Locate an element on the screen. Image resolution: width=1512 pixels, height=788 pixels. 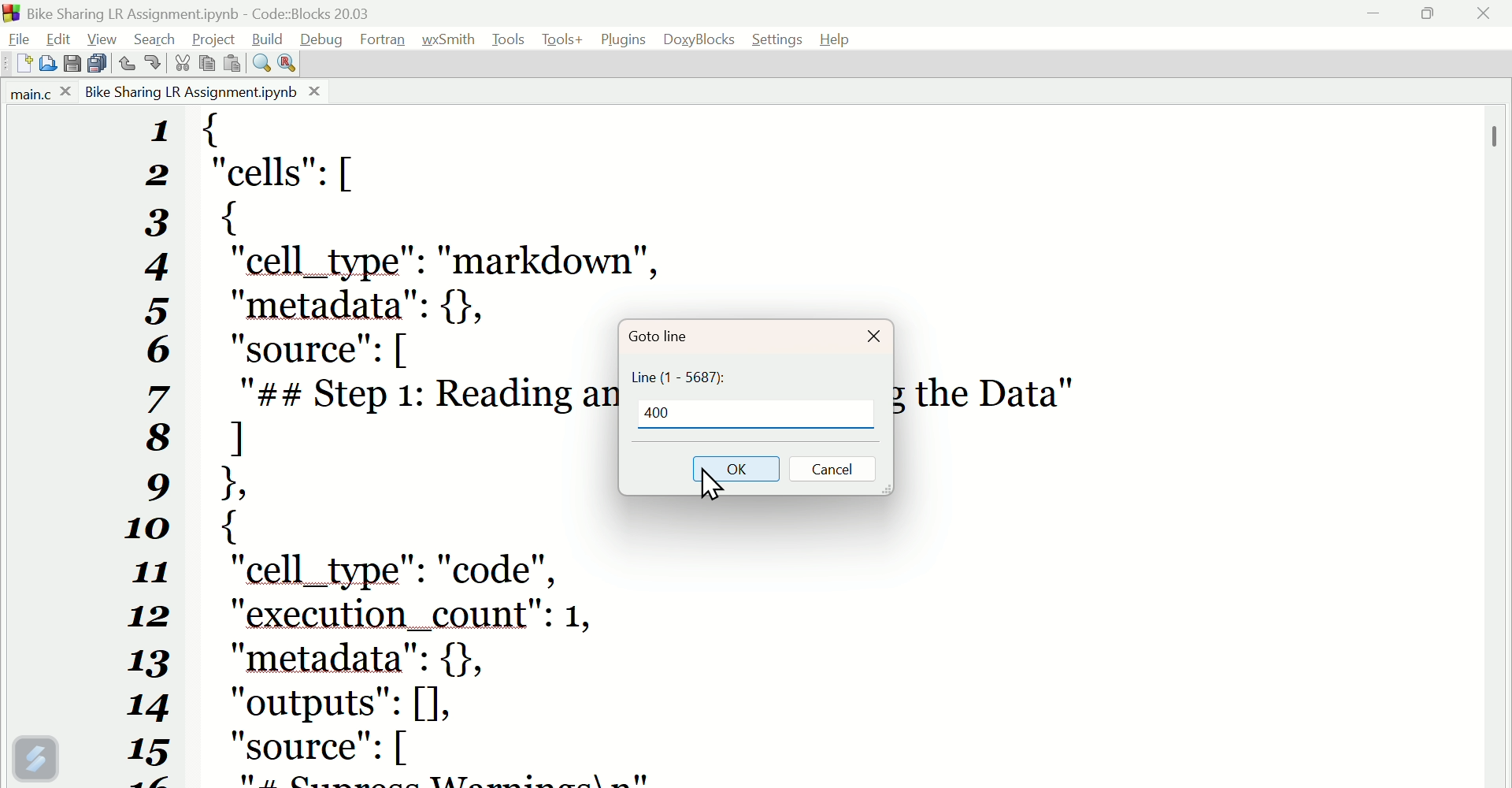
Version control is located at coordinates (35, 758).